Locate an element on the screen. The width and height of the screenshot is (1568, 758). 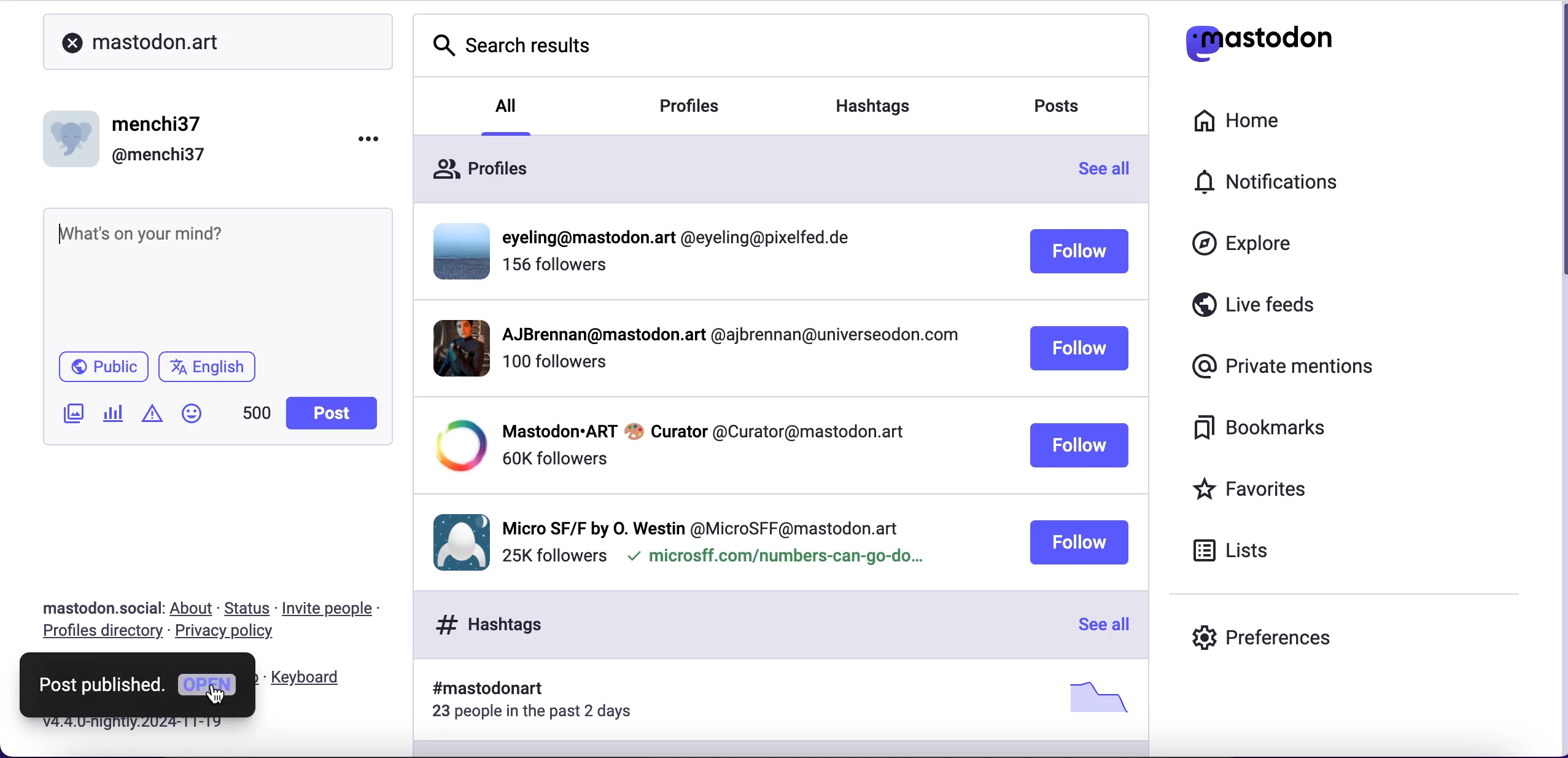
privacy policy is located at coordinates (233, 635).